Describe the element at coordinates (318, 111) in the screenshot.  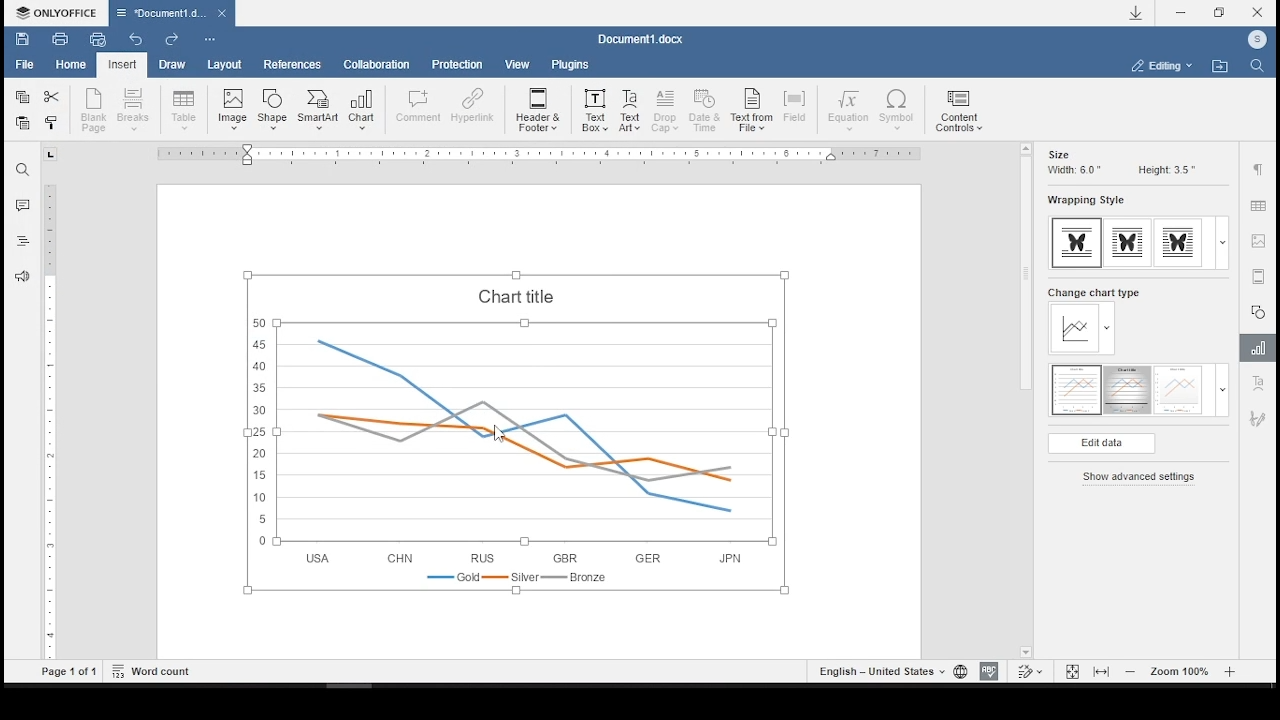
I see `insert smartart` at that location.